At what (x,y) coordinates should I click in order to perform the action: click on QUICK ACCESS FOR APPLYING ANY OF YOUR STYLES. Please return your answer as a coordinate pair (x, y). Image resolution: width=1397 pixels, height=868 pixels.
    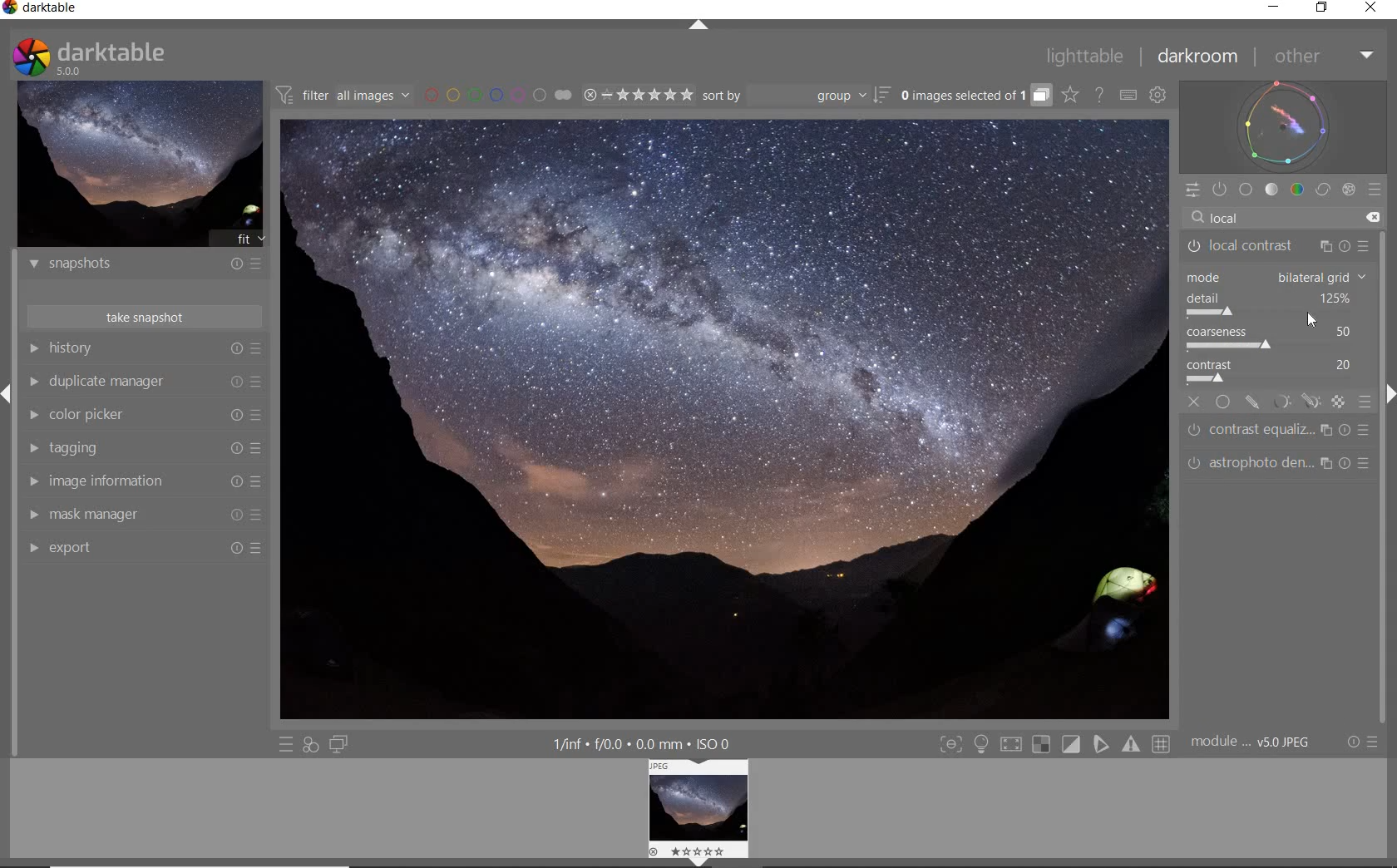
    Looking at the image, I should click on (309, 744).